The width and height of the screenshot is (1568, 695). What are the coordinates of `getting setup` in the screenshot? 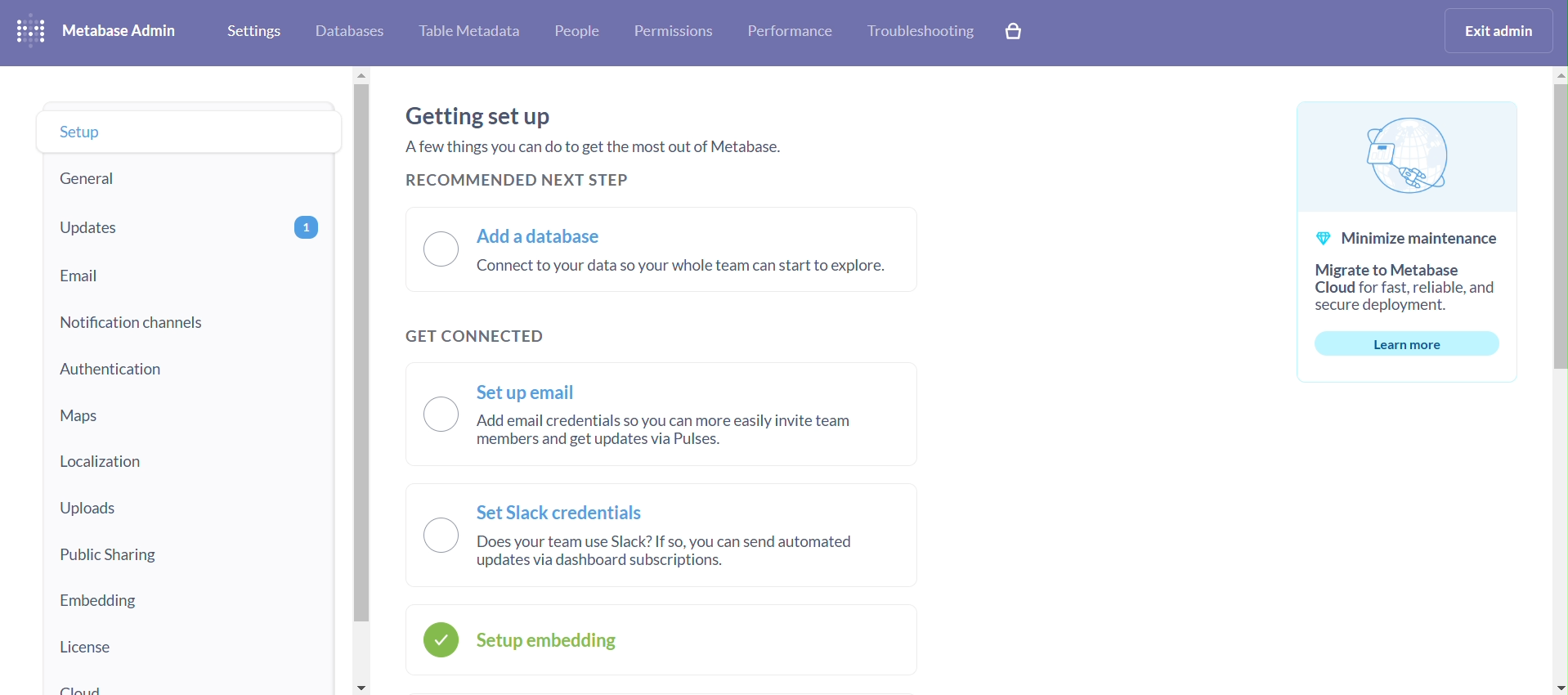 It's located at (481, 116).